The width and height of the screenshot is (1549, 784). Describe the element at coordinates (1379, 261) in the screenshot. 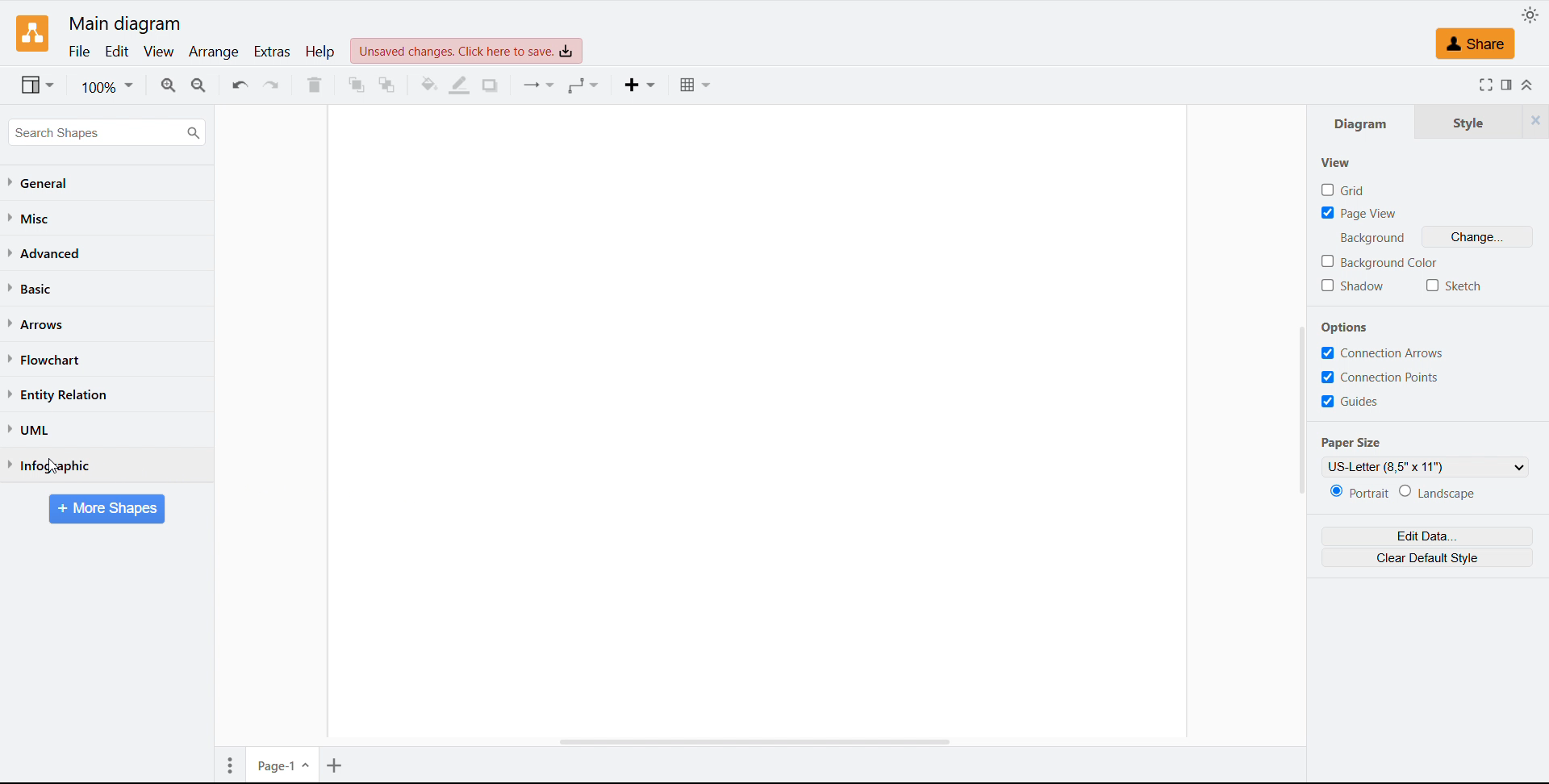

I see `Background colour ` at that location.